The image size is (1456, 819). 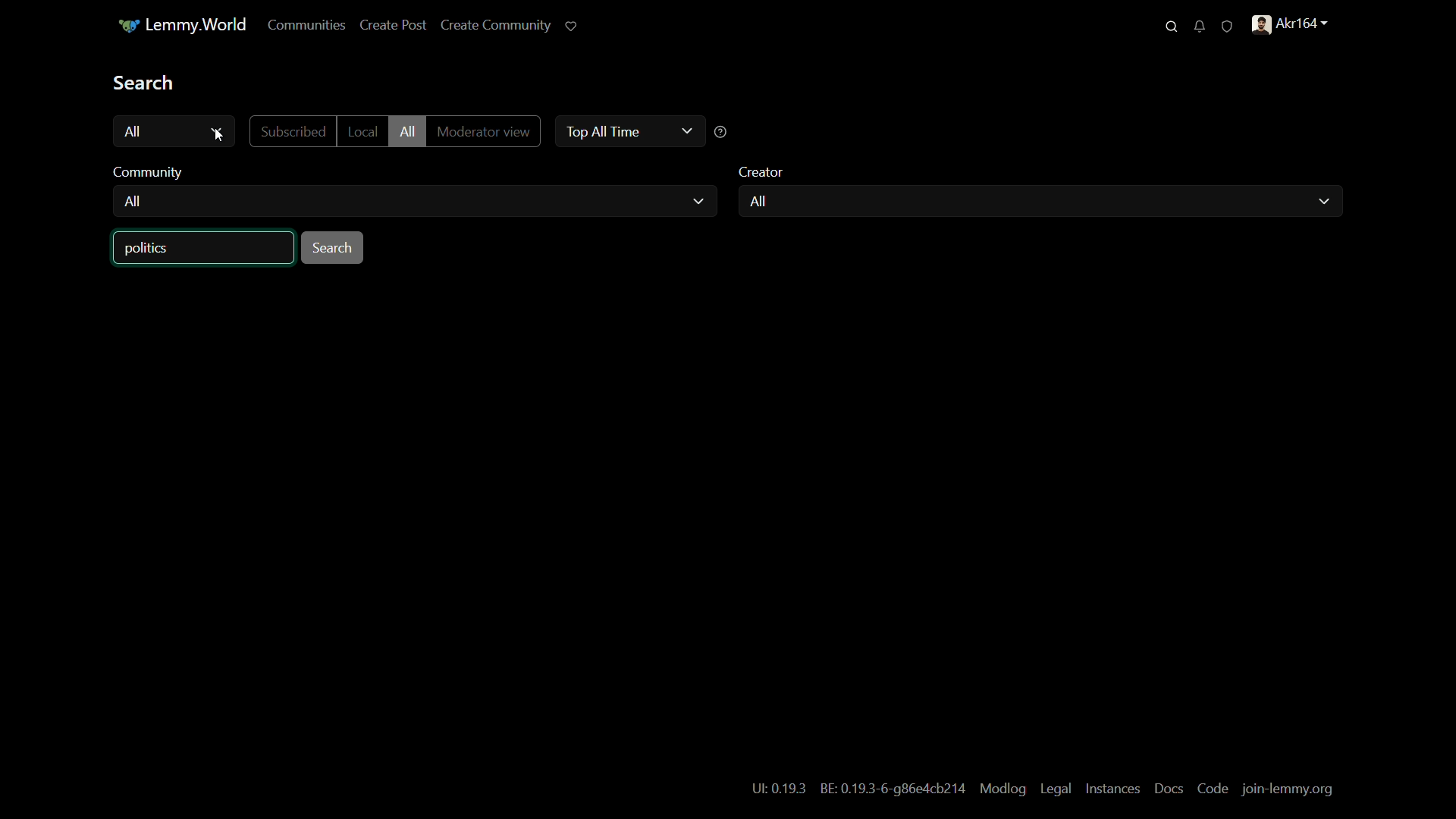 What do you see at coordinates (763, 172) in the screenshot?
I see `creator` at bounding box center [763, 172].